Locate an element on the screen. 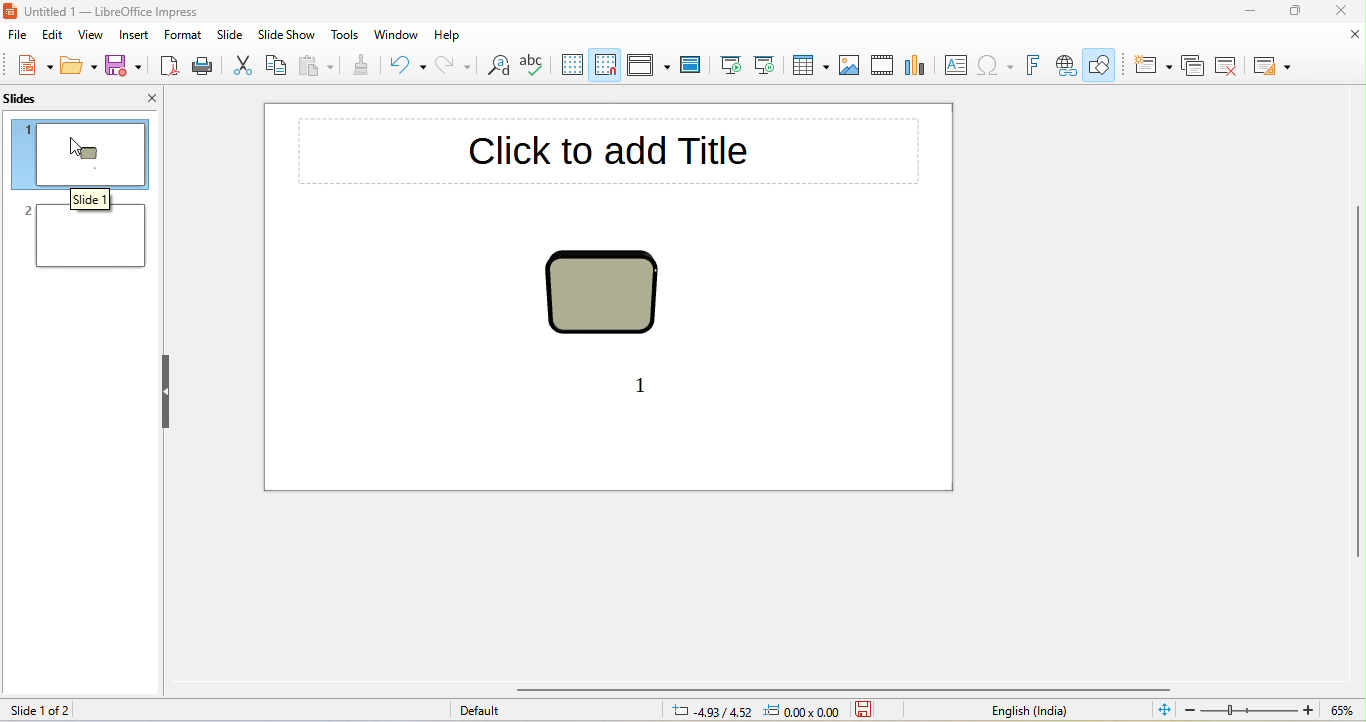 The height and width of the screenshot is (722, 1366). tools is located at coordinates (346, 35).